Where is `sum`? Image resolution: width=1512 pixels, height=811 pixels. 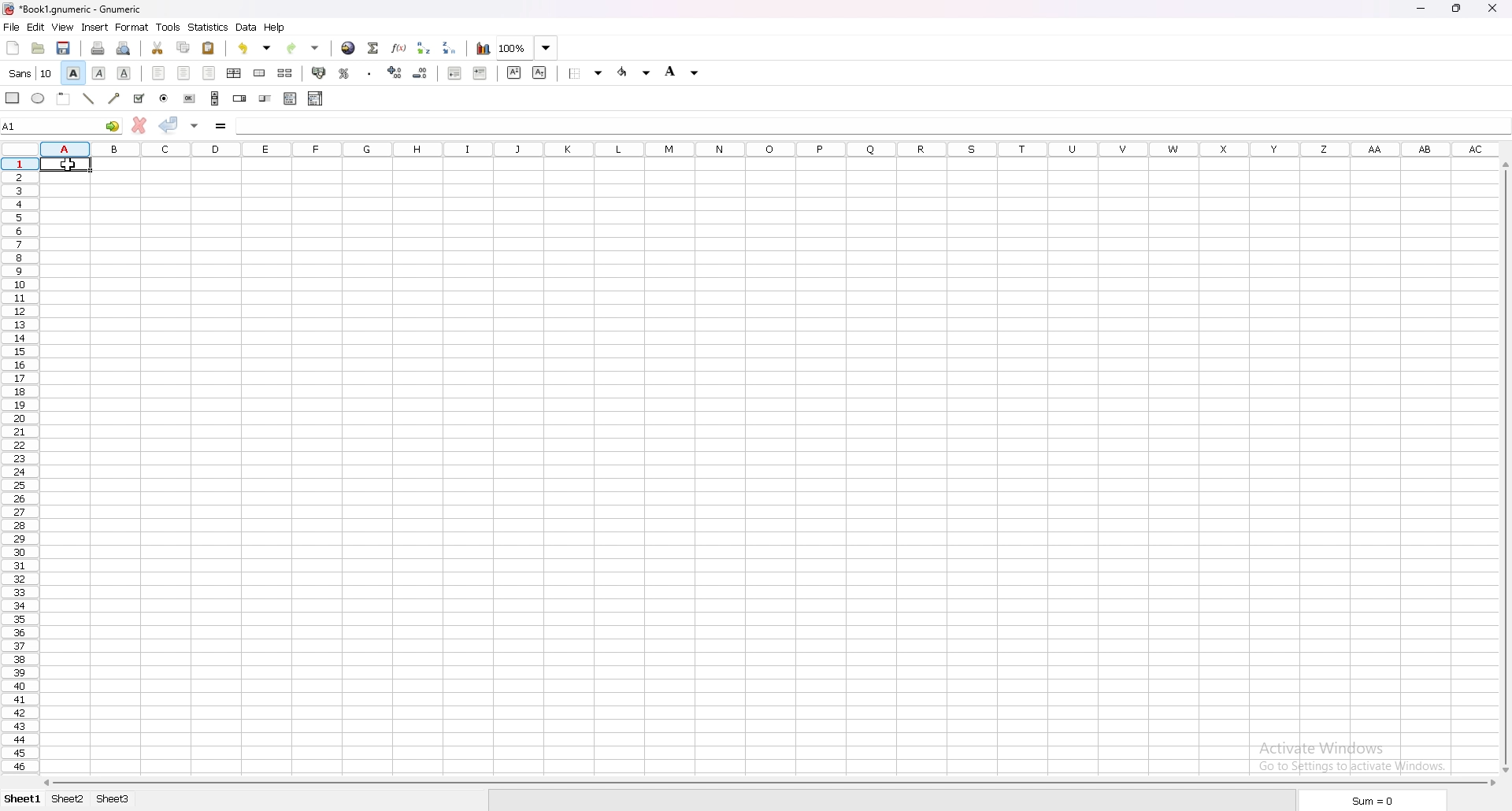
sum is located at coordinates (1371, 800).